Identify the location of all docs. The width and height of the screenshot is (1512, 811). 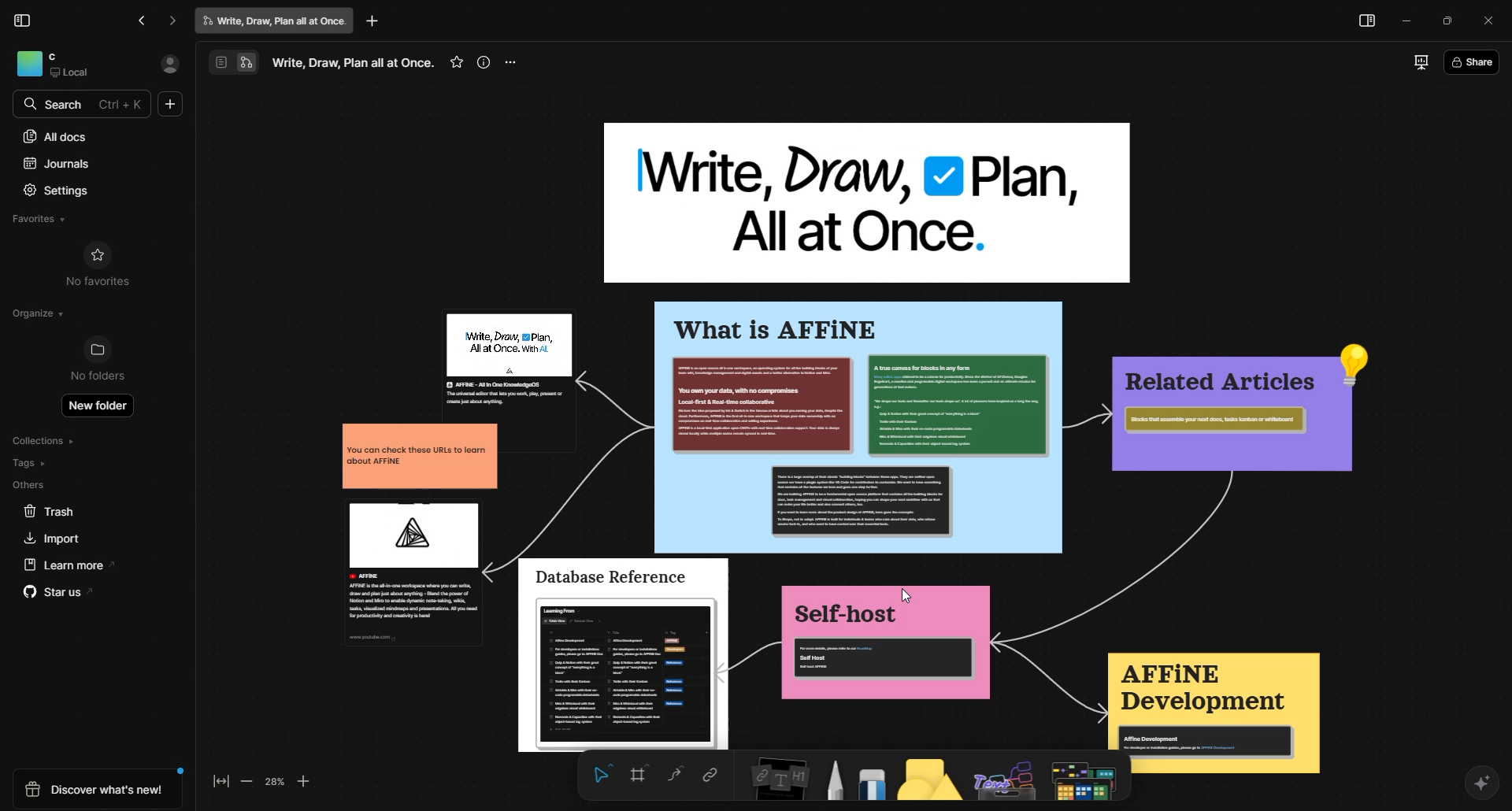
(57, 135).